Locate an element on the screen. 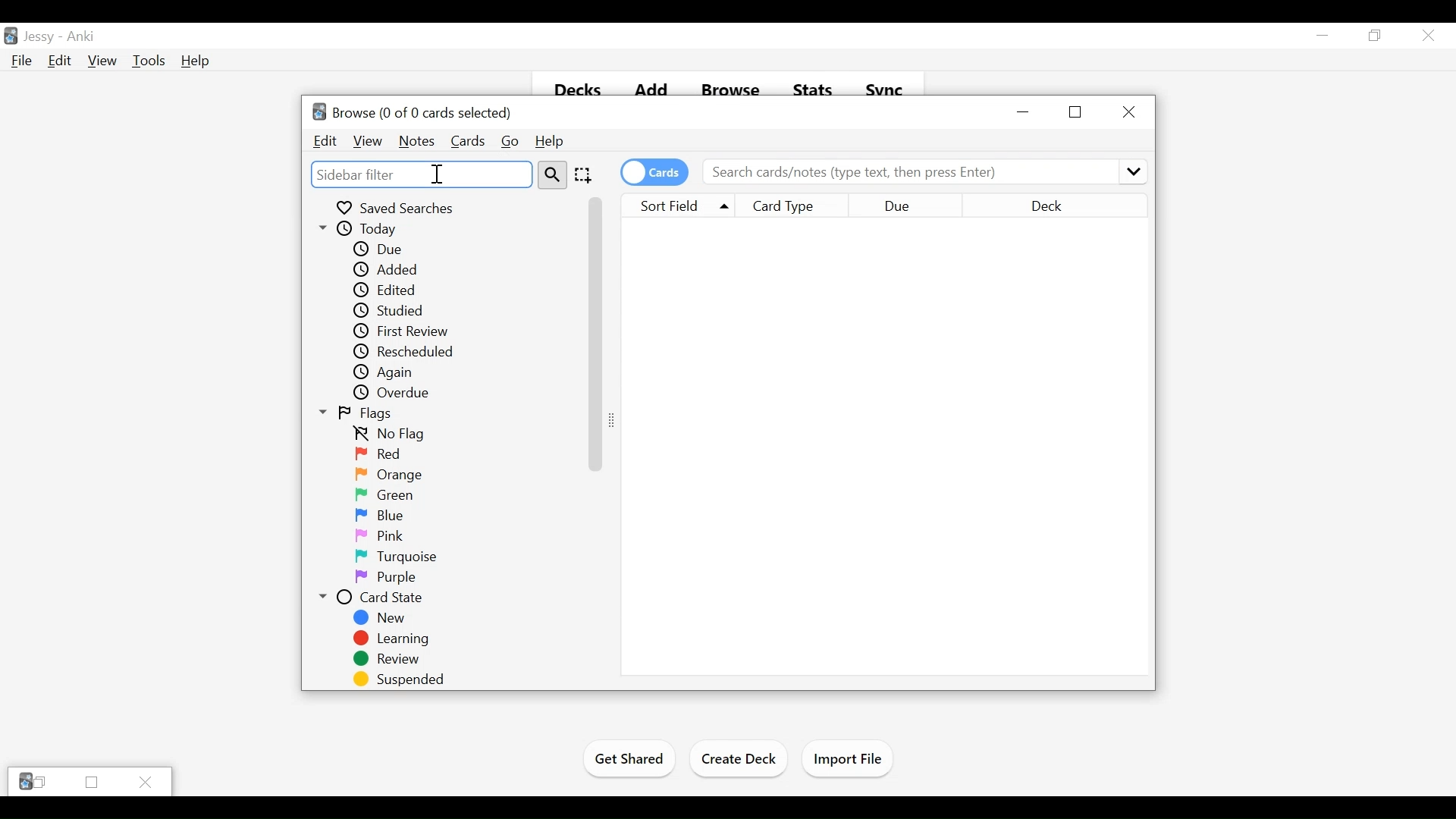  Edited is located at coordinates (388, 290).